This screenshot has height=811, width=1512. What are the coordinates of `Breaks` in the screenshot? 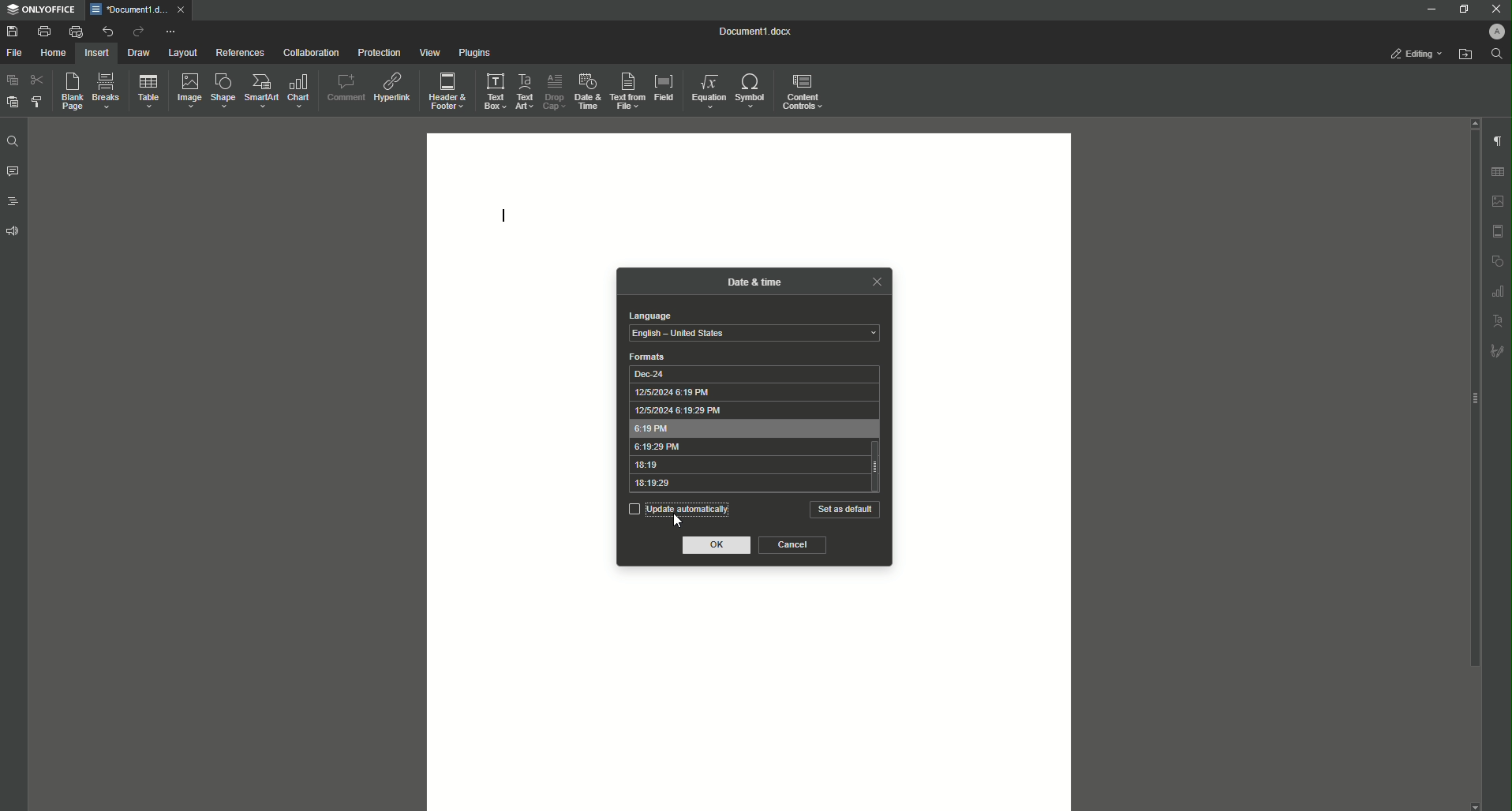 It's located at (106, 92).